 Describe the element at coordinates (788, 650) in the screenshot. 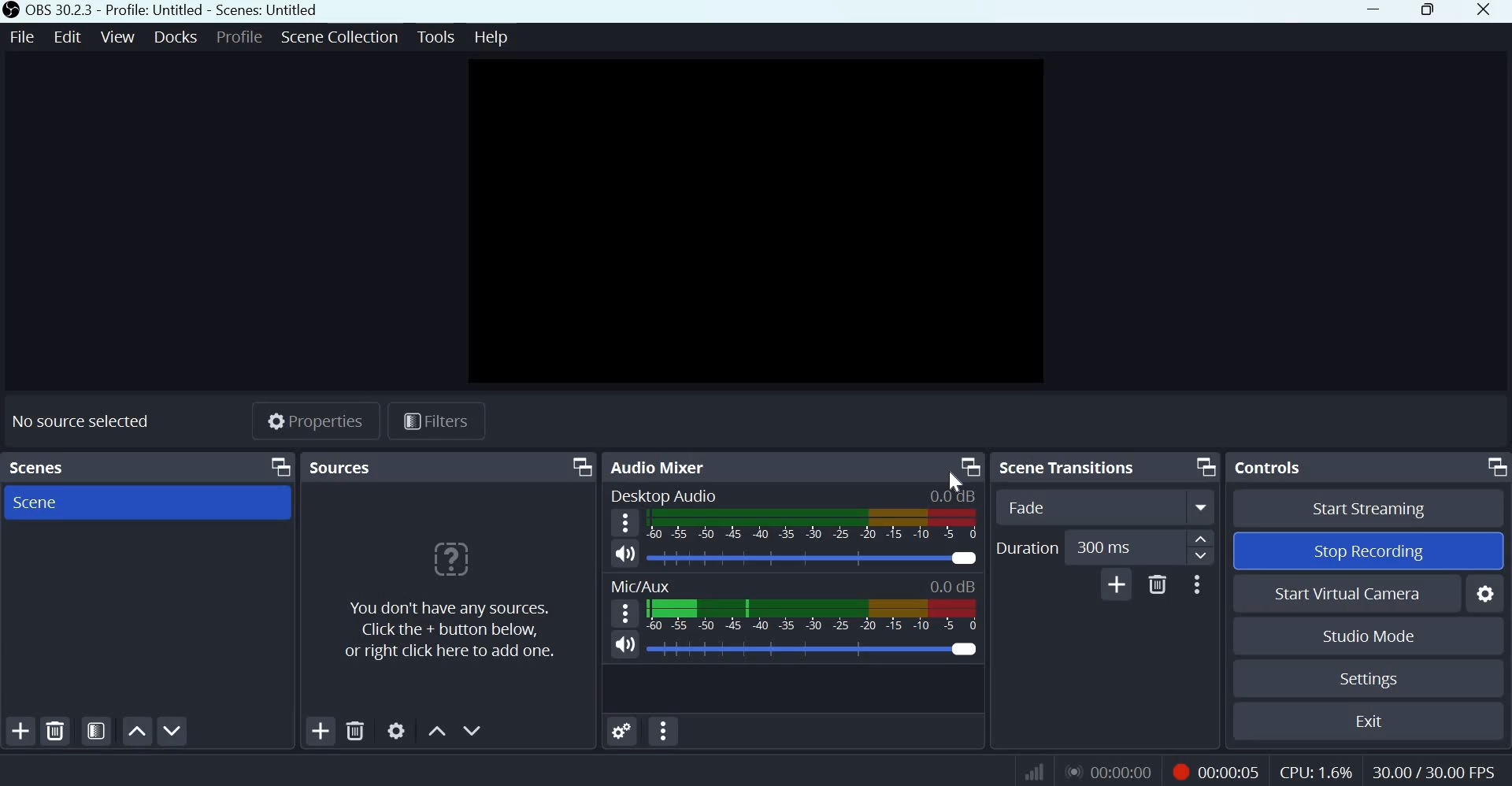

I see `Audio level meter` at that location.